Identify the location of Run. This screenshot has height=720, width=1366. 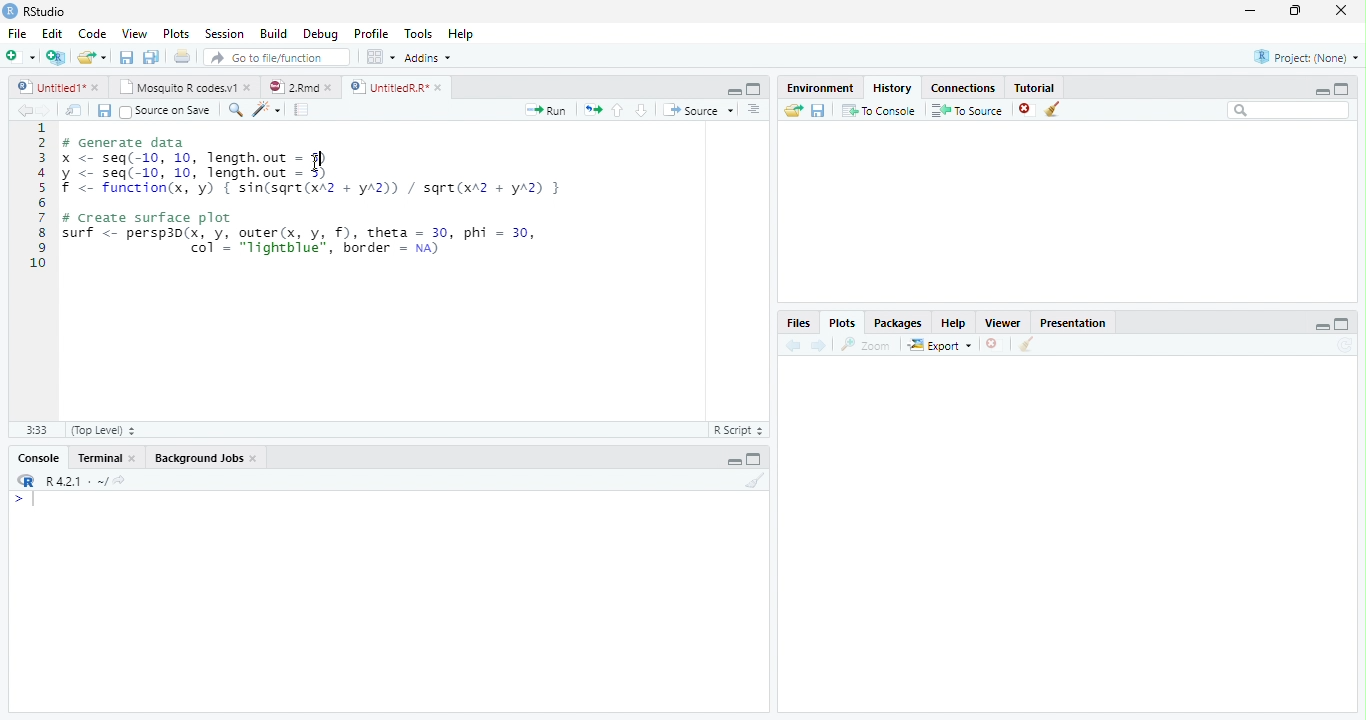
(544, 110).